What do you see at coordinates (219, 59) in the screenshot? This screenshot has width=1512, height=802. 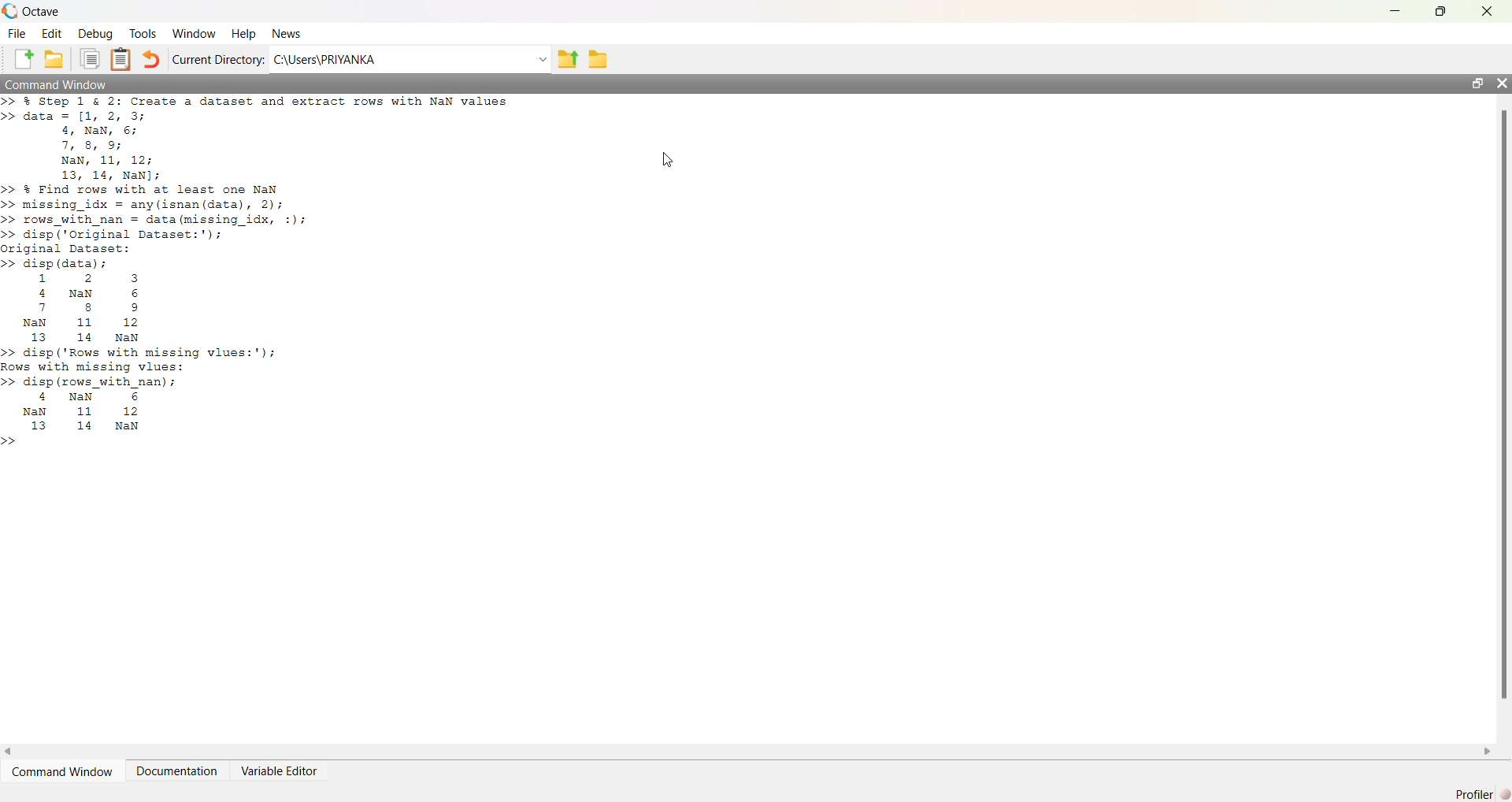 I see `Current Directory:` at bounding box center [219, 59].